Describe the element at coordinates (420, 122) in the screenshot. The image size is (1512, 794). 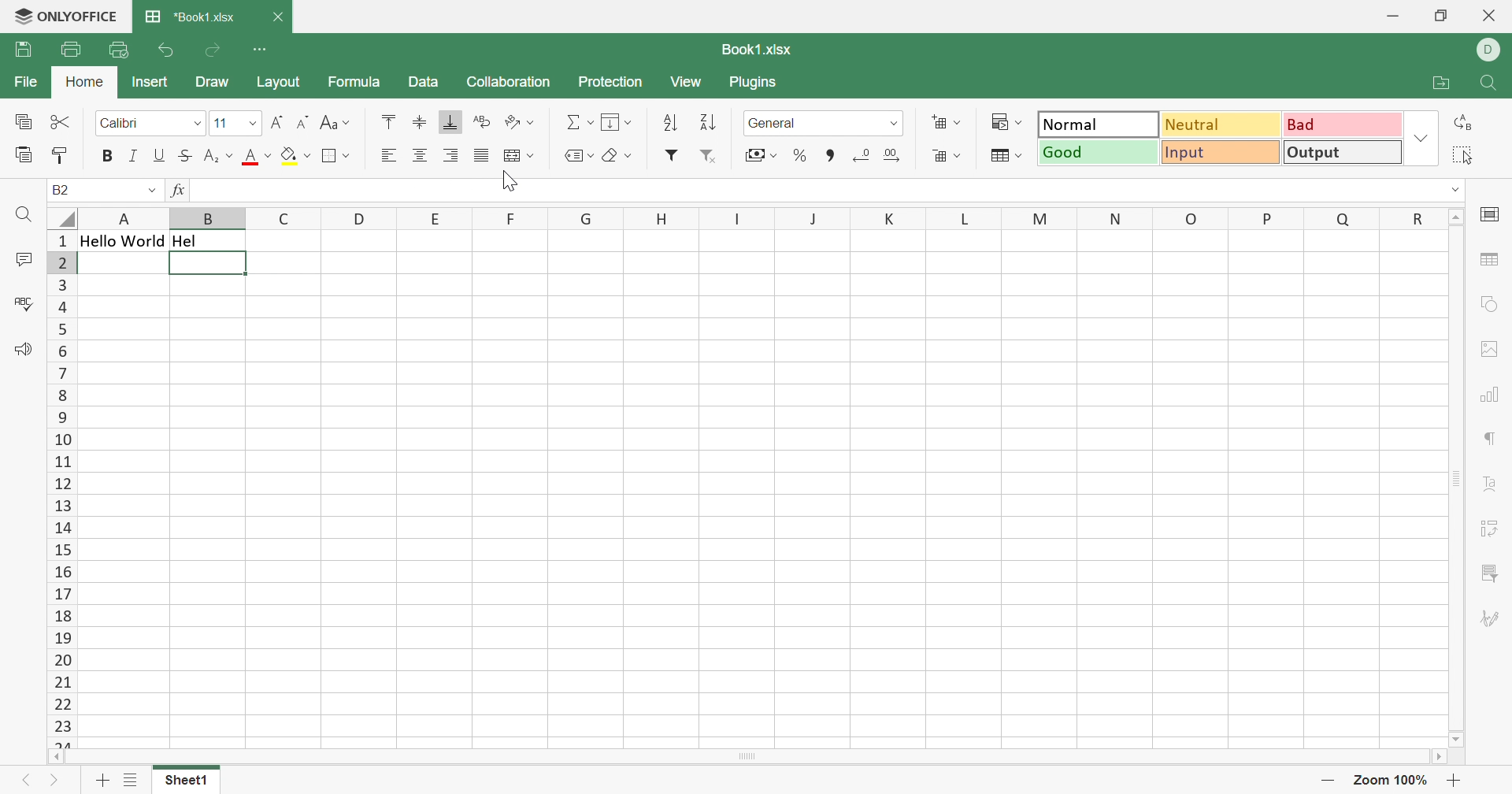
I see `Align middle` at that location.